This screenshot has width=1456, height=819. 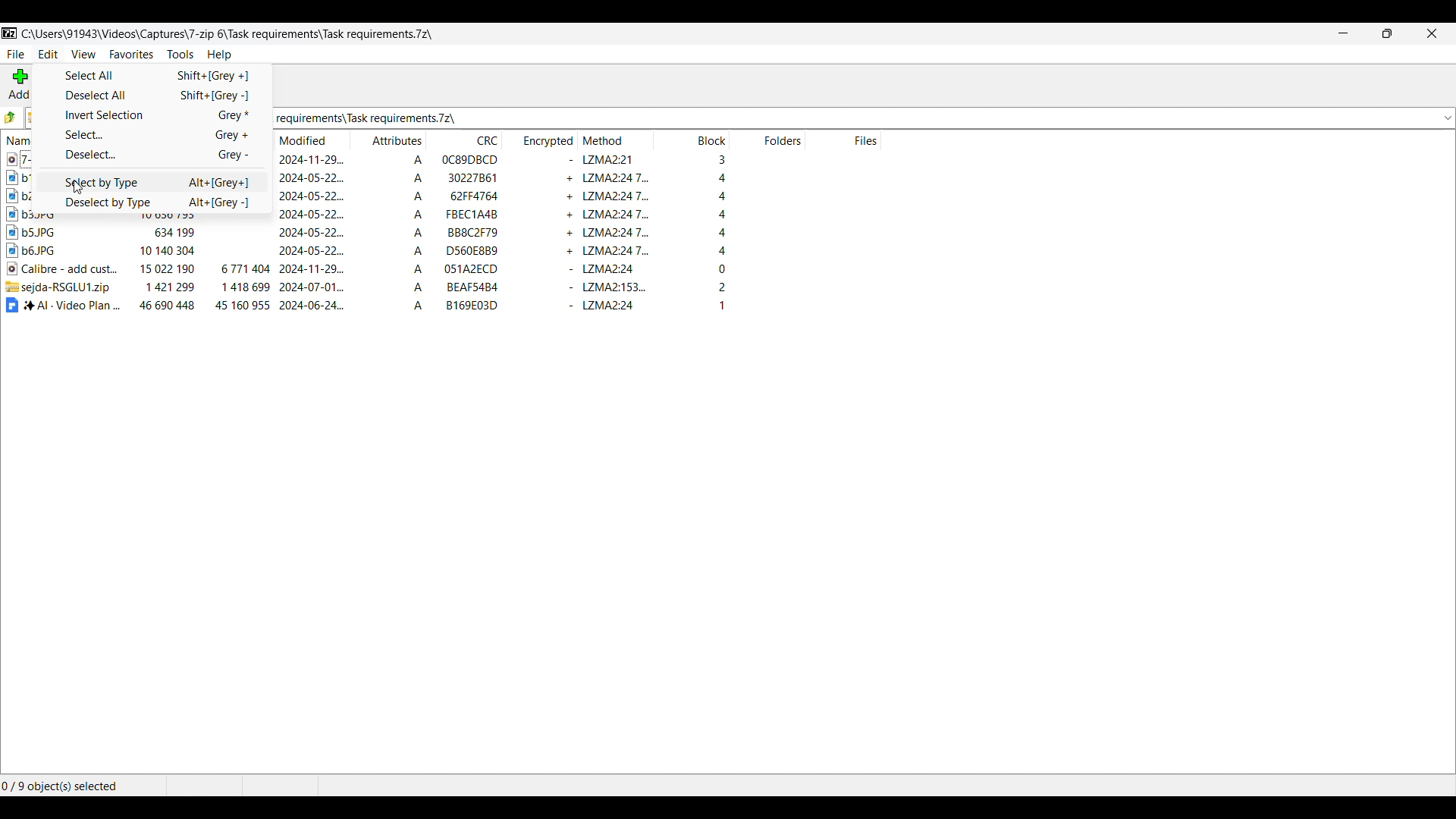 What do you see at coordinates (312, 139) in the screenshot?
I see `Modified column` at bounding box center [312, 139].